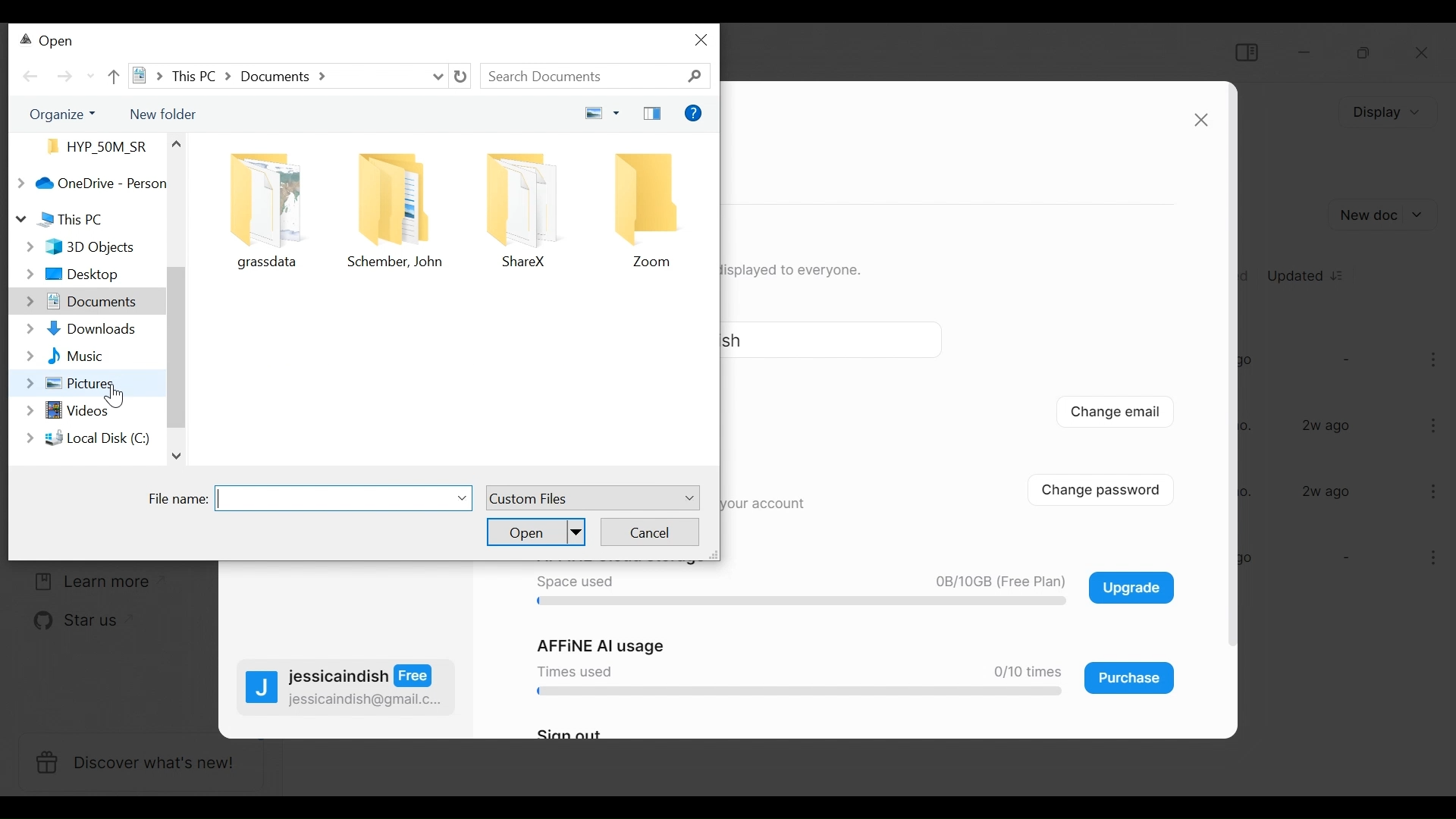 This screenshot has width=1456, height=819. Describe the element at coordinates (653, 199) in the screenshot. I see `icon` at that location.